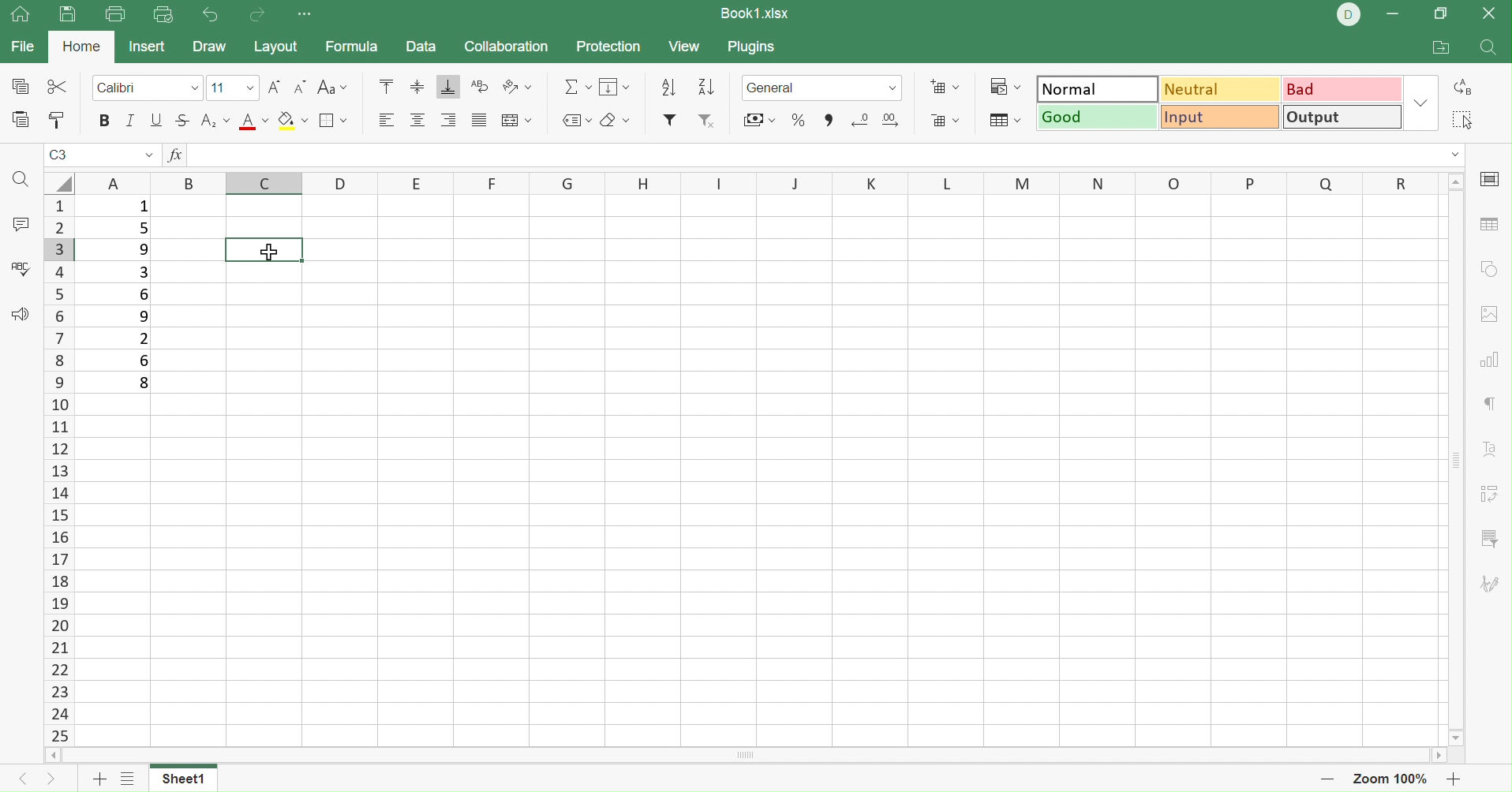 The height and width of the screenshot is (792, 1512). Describe the element at coordinates (386, 120) in the screenshot. I see `Align left` at that location.